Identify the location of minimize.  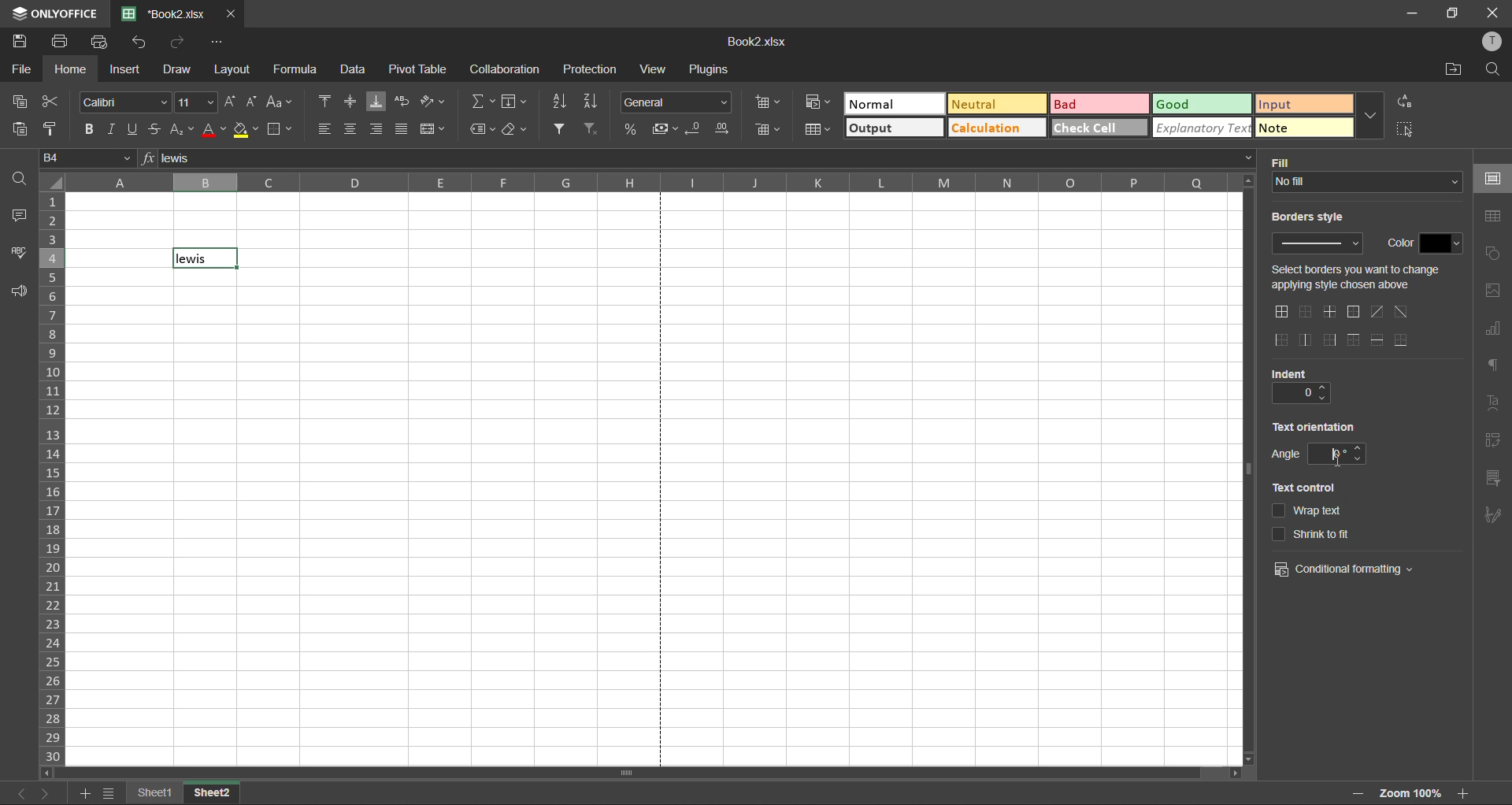
(1413, 13).